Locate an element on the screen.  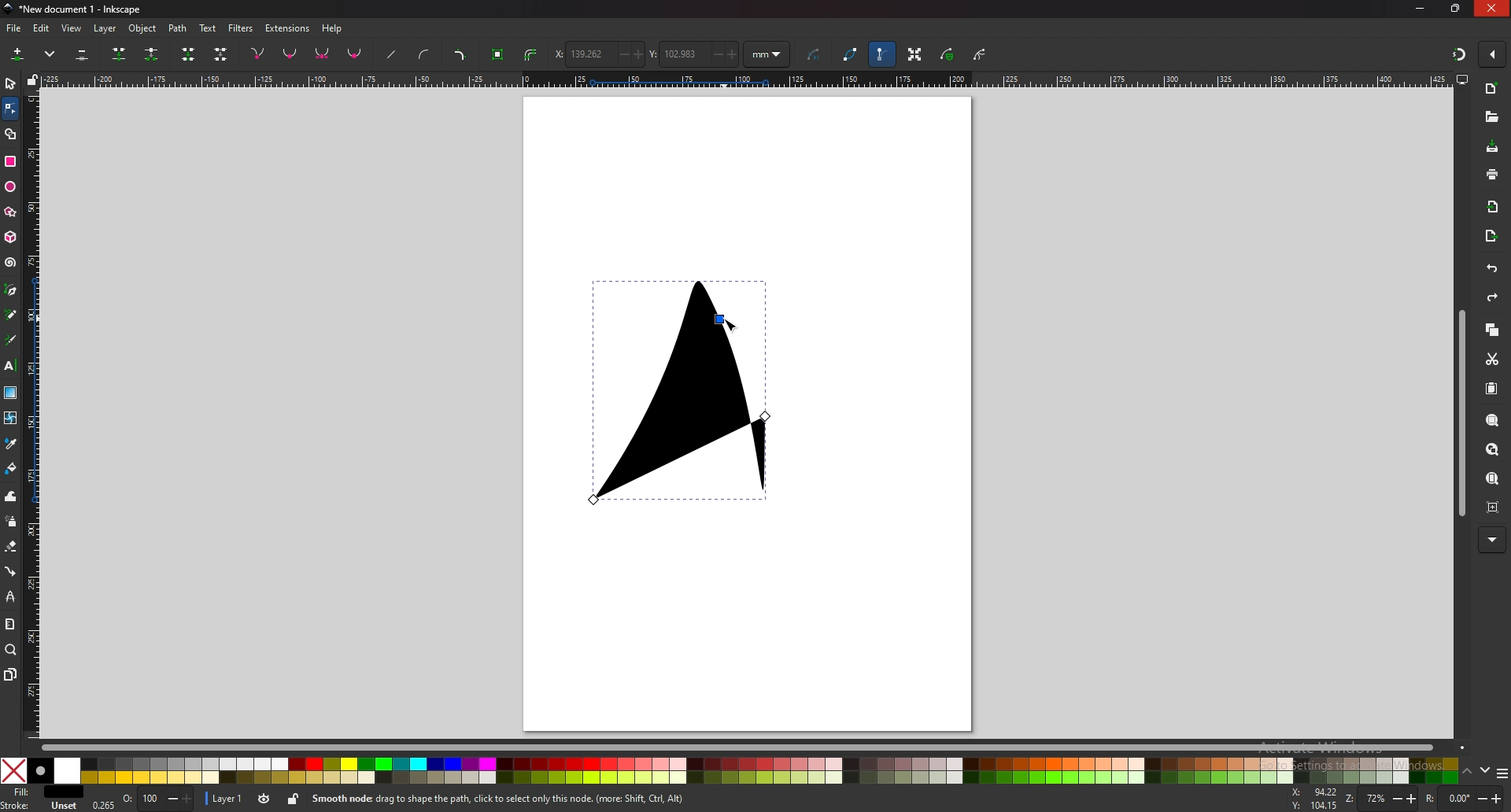
ellipse is located at coordinates (11, 185).